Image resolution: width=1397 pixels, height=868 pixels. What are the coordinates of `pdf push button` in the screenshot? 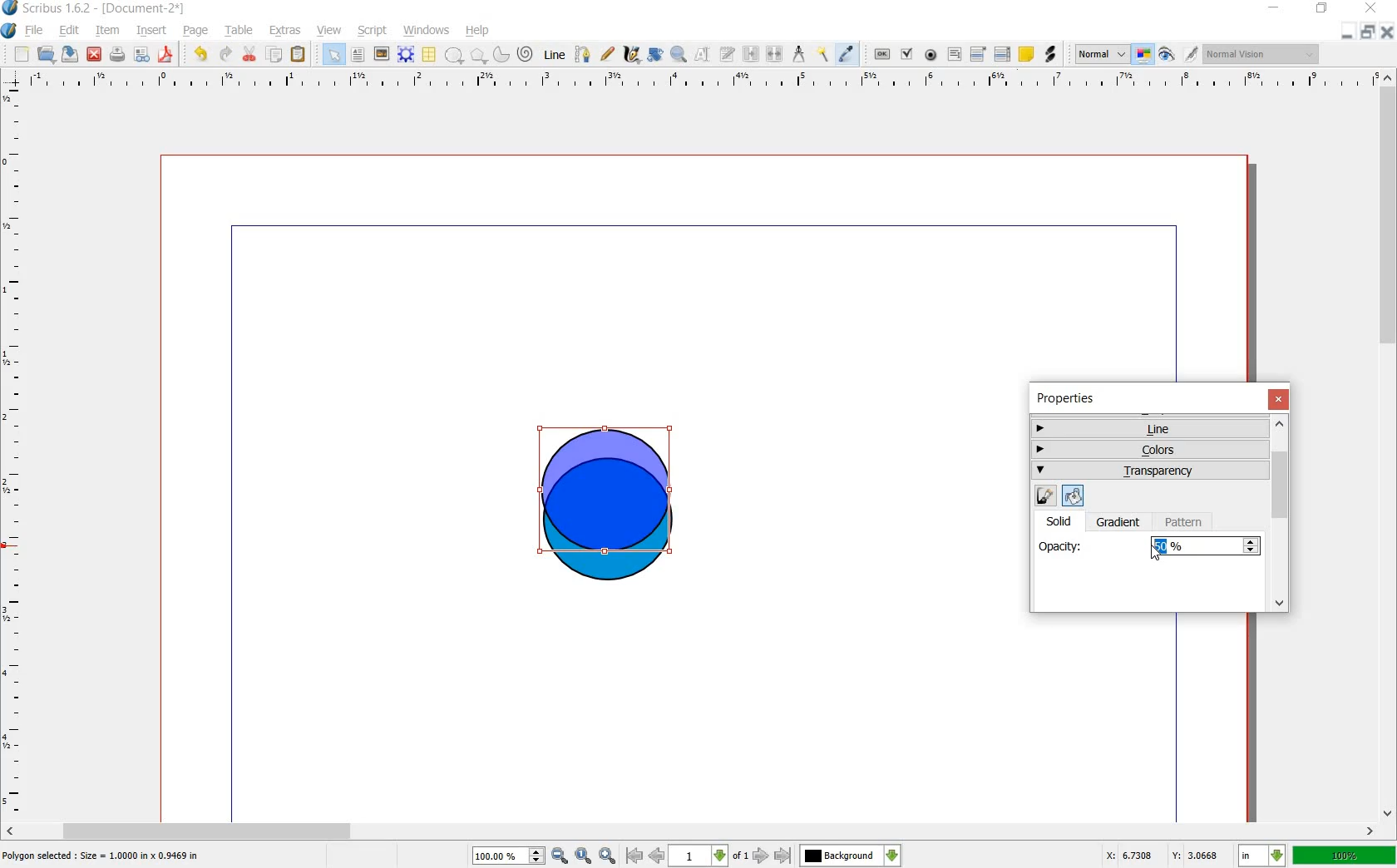 It's located at (881, 55).